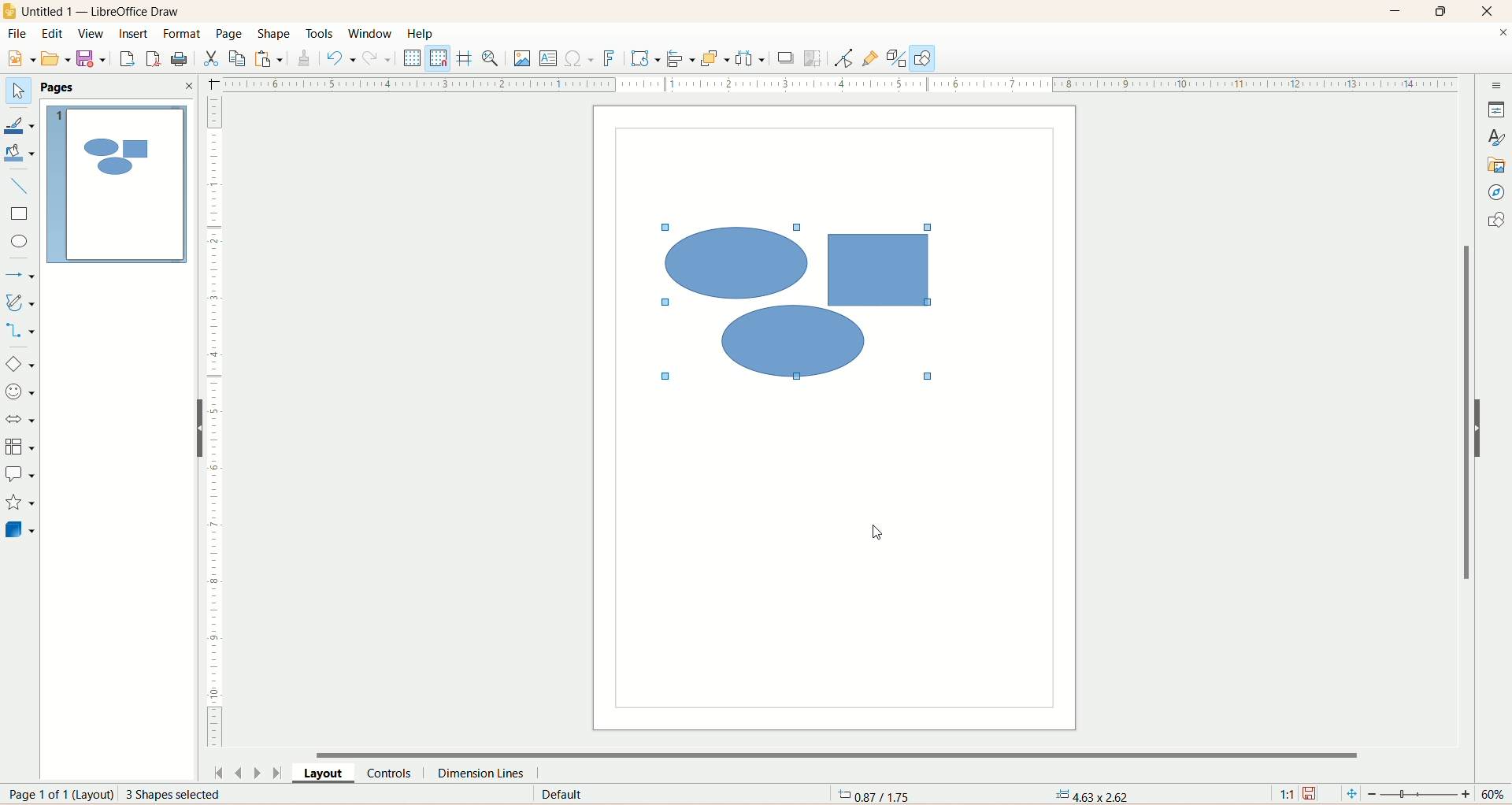  What do you see at coordinates (1490, 12) in the screenshot?
I see `close` at bounding box center [1490, 12].